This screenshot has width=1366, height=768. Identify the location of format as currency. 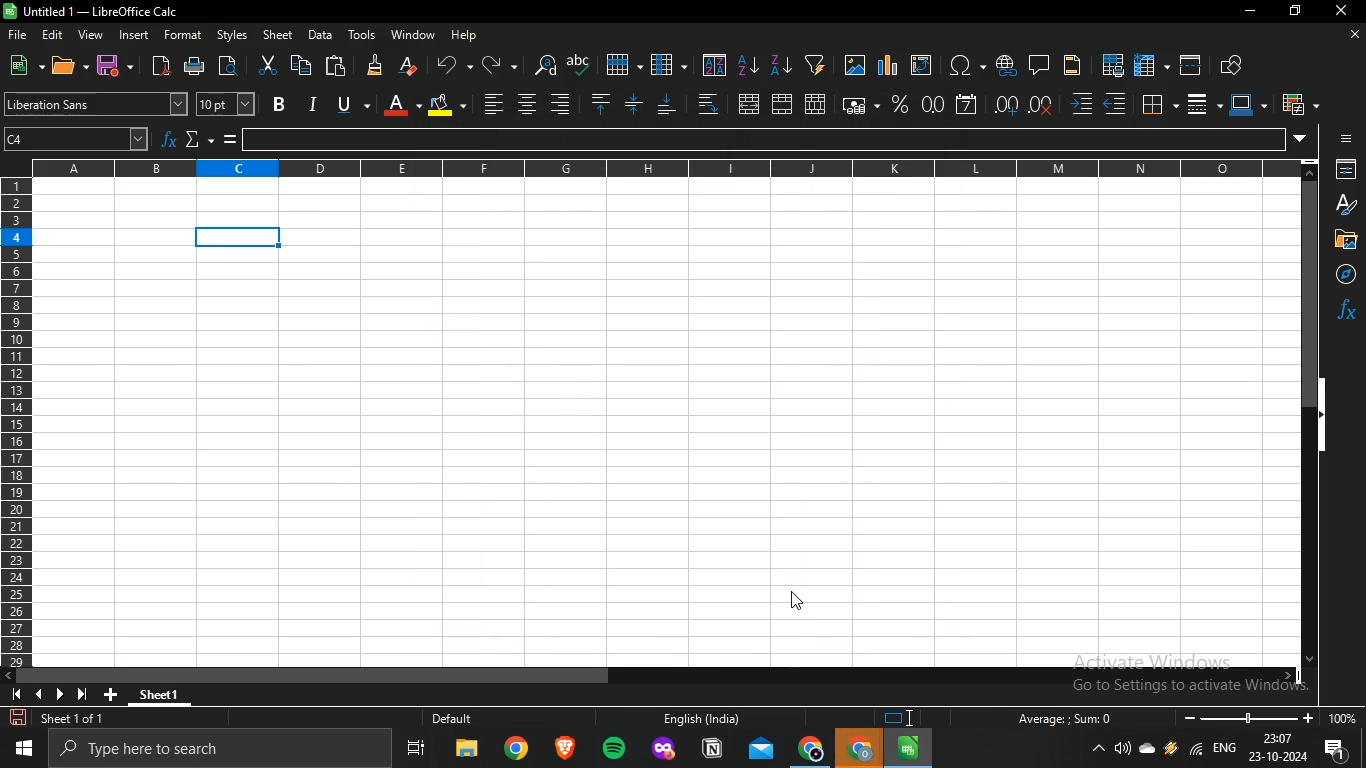
(855, 104).